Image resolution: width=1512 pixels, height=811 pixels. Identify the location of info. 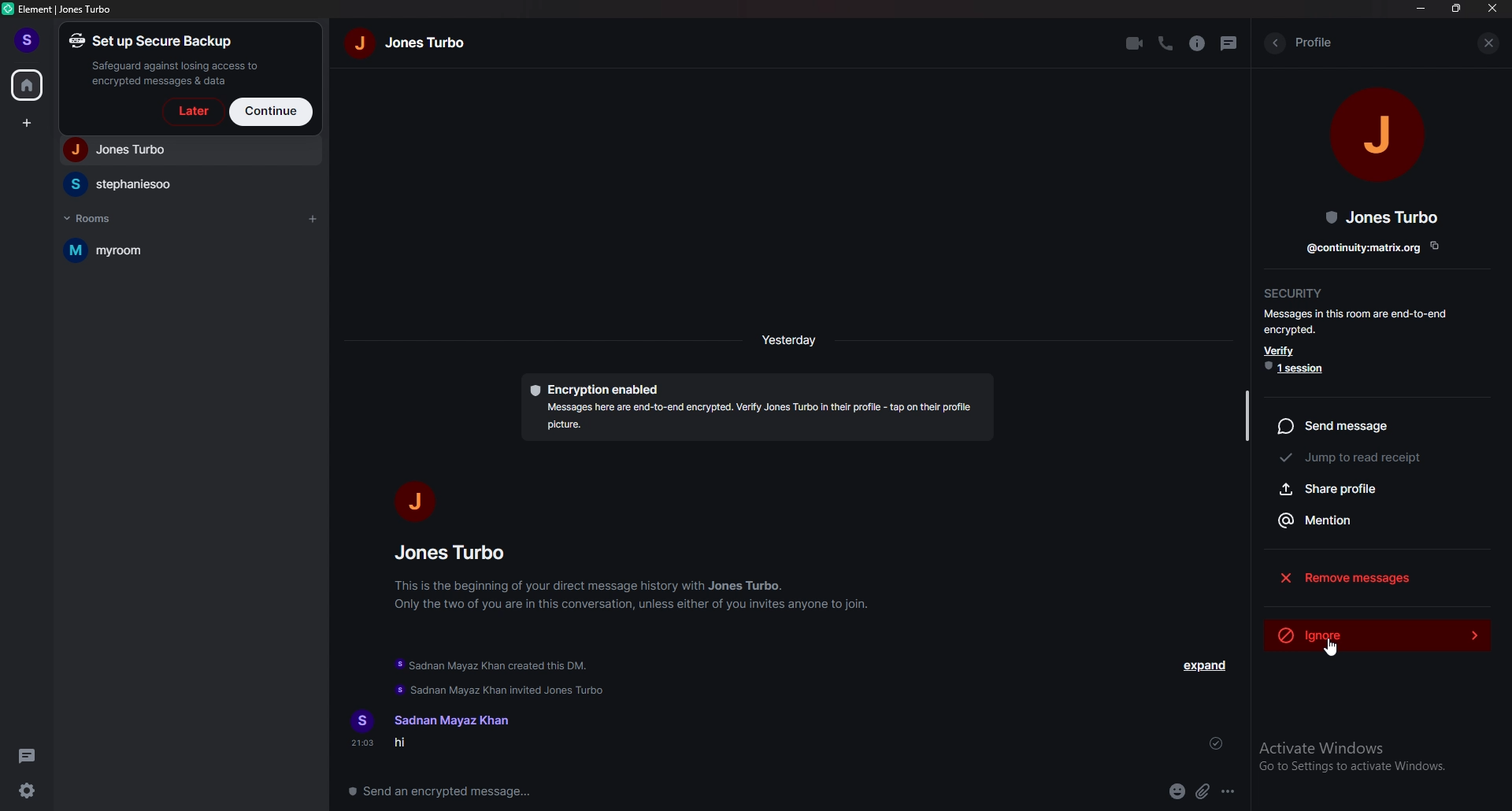
(1360, 321).